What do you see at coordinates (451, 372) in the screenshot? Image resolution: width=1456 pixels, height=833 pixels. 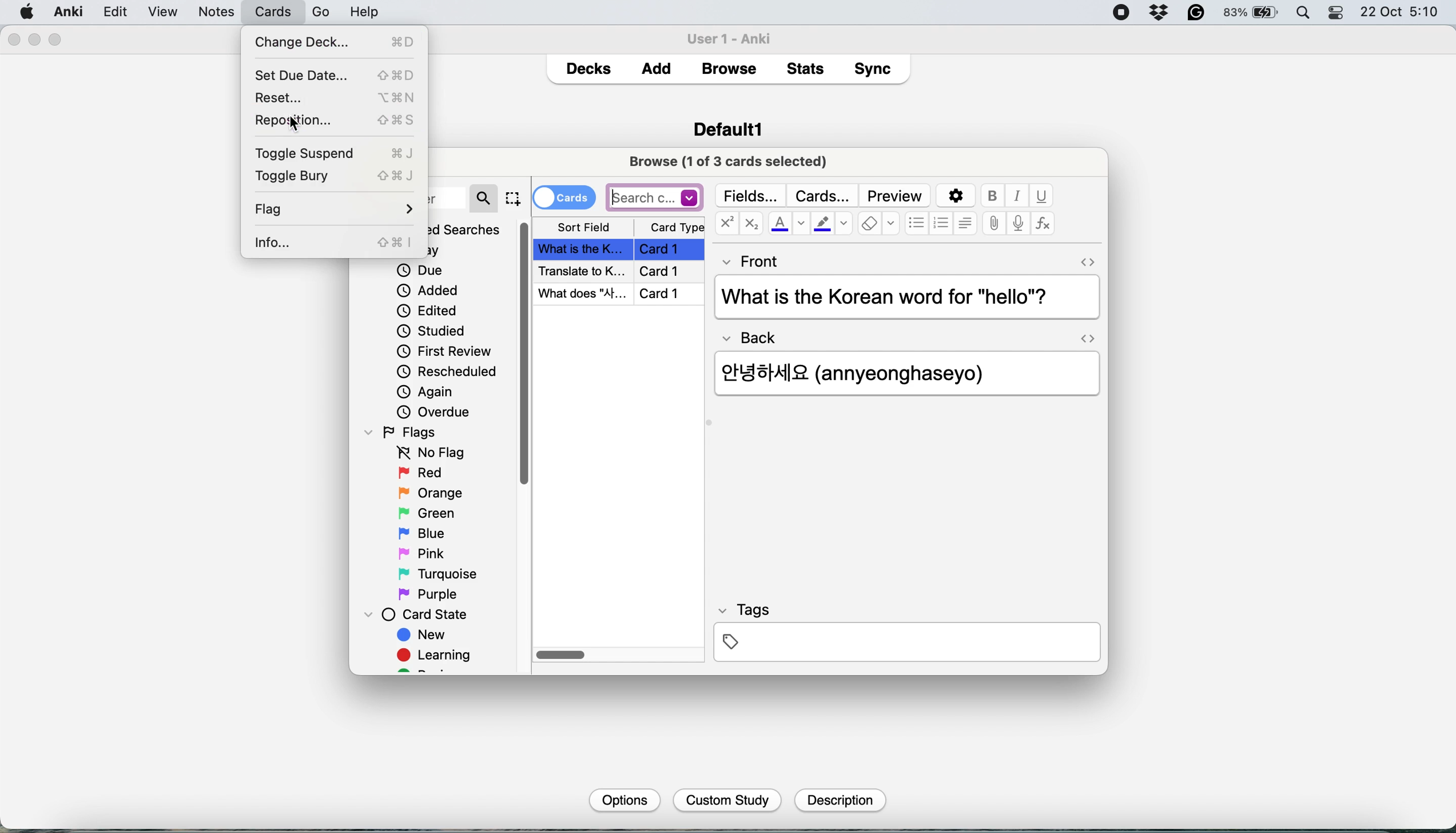 I see `resheduled` at bounding box center [451, 372].